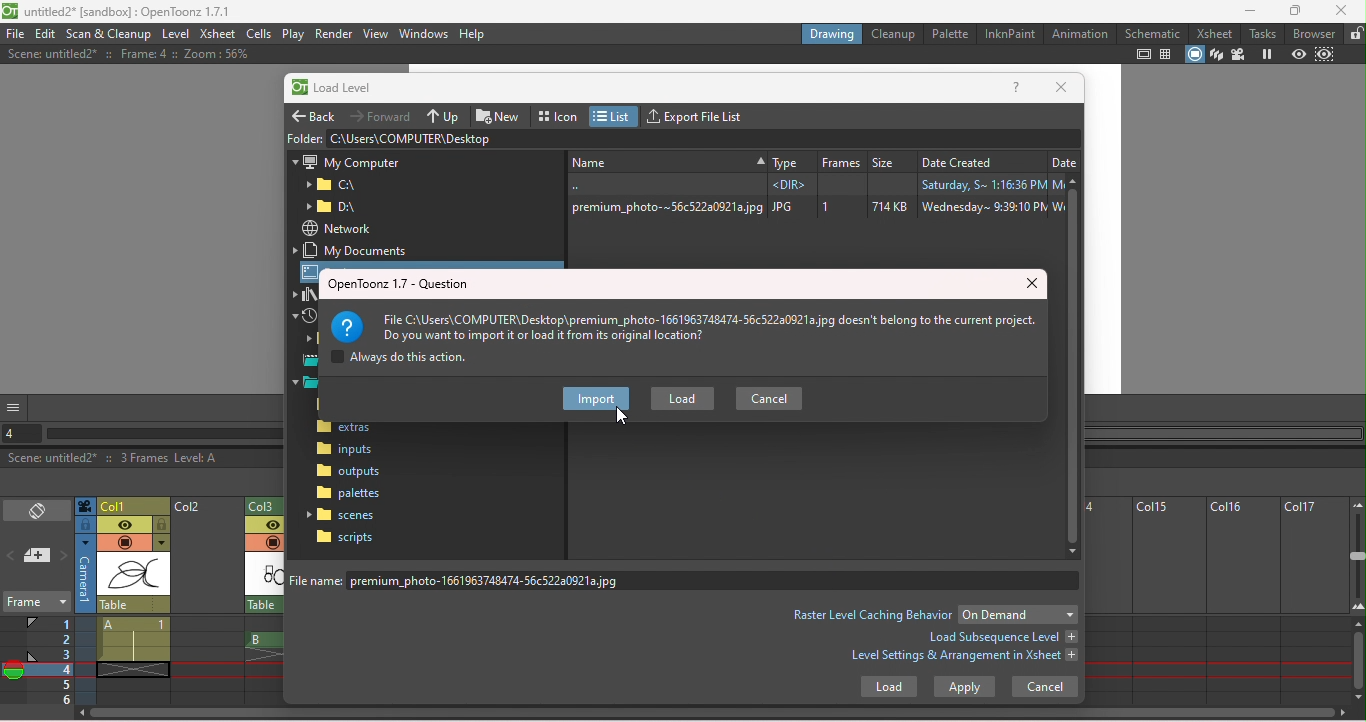 This screenshot has height=722, width=1366. What do you see at coordinates (811, 184) in the screenshot?
I see `<DIR> Saturday, S~ 1:16:36 PM` at bounding box center [811, 184].